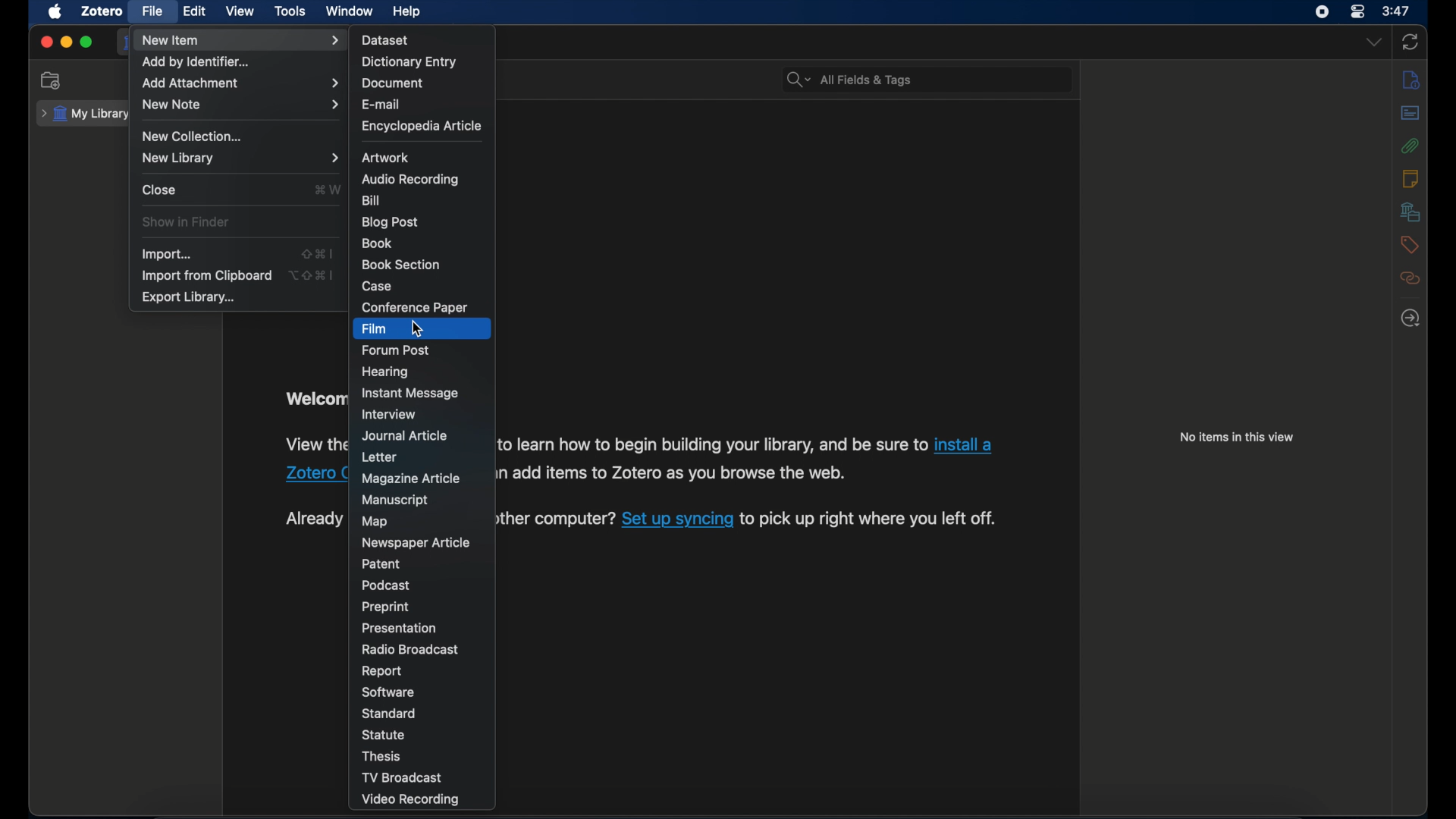 Image resolution: width=1456 pixels, height=819 pixels. What do you see at coordinates (328, 189) in the screenshot?
I see `shortcut` at bounding box center [328, 189].